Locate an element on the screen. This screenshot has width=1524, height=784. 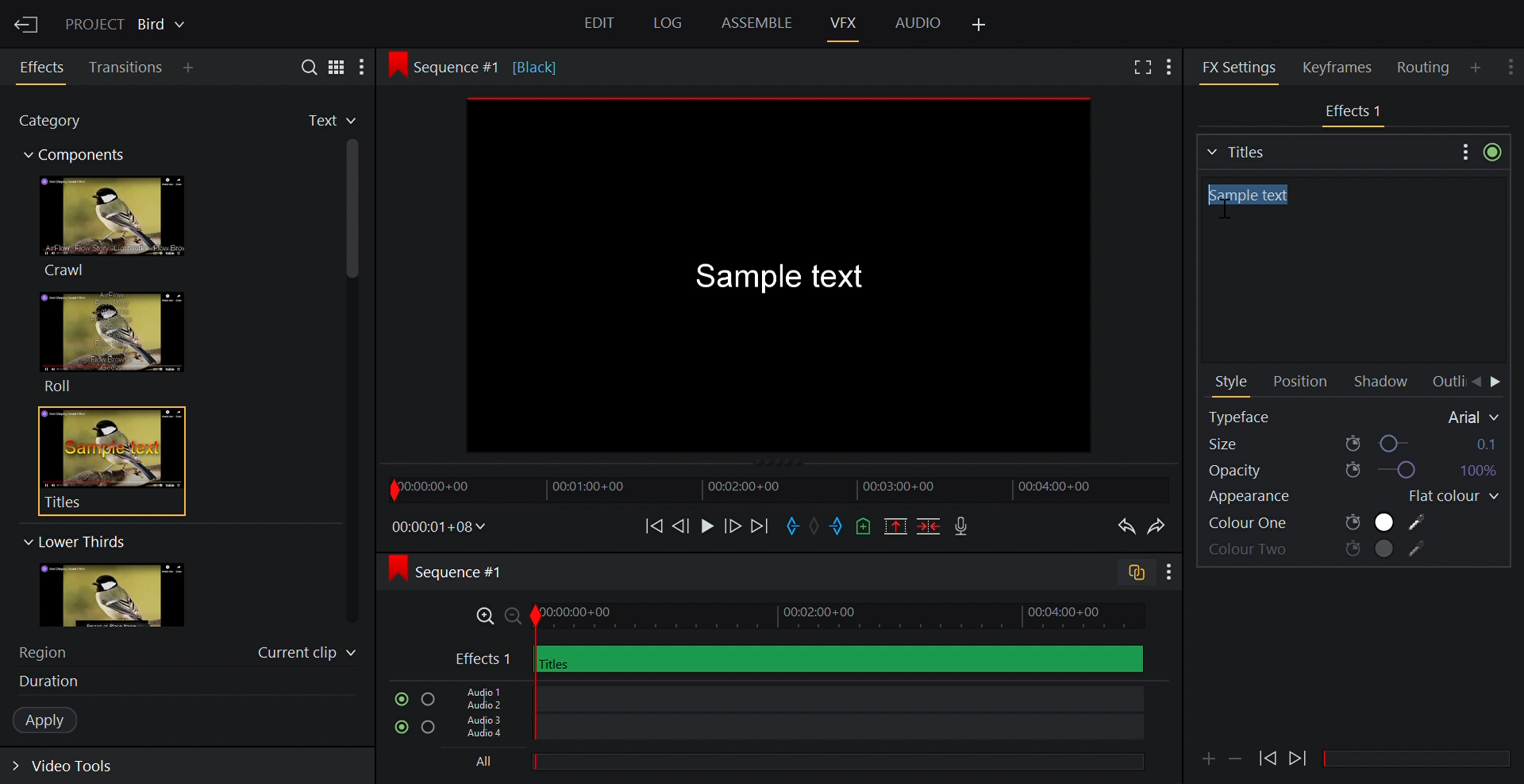
Expand video tools is located at coordinates (73, 769).